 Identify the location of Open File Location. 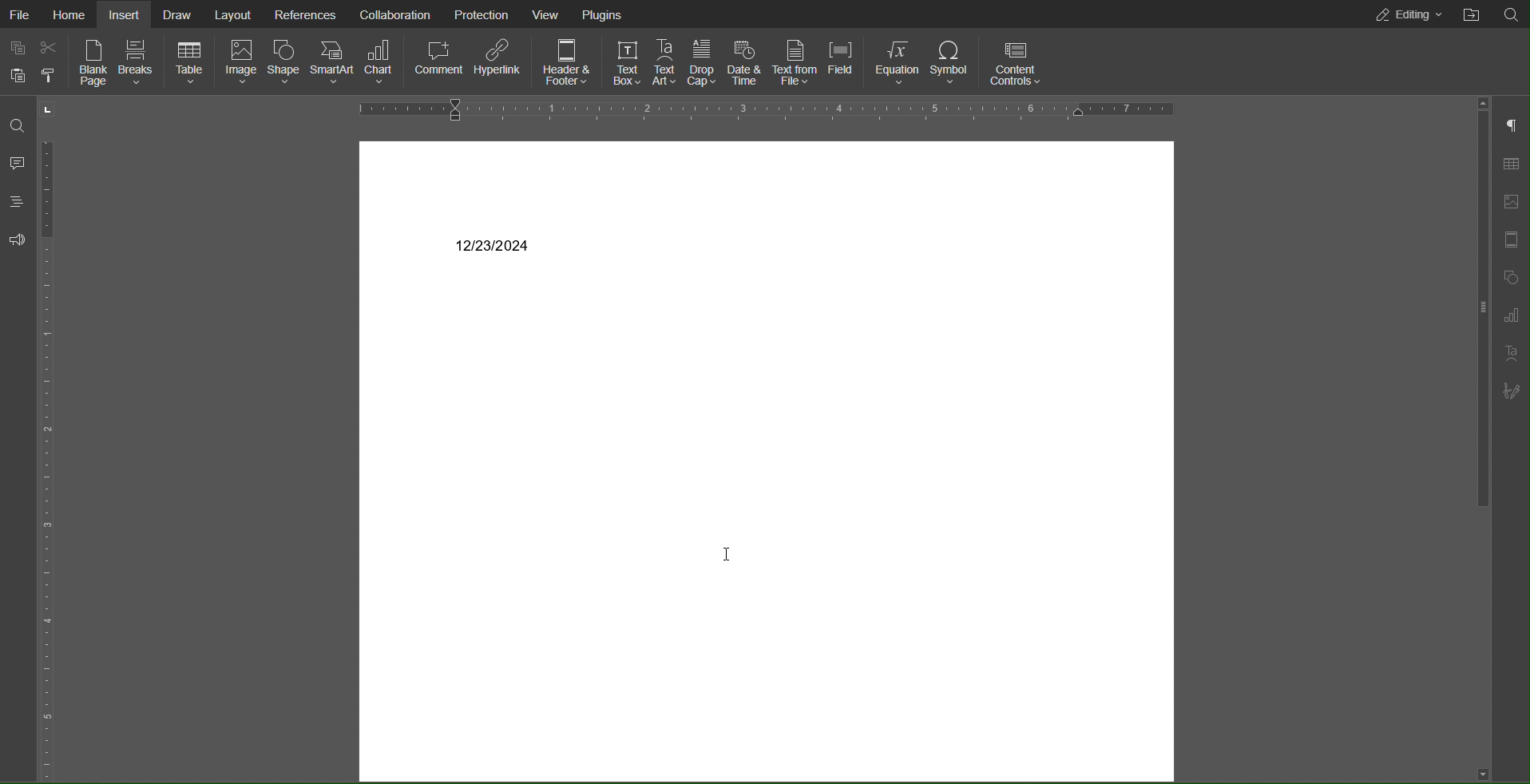
(1471, 14).